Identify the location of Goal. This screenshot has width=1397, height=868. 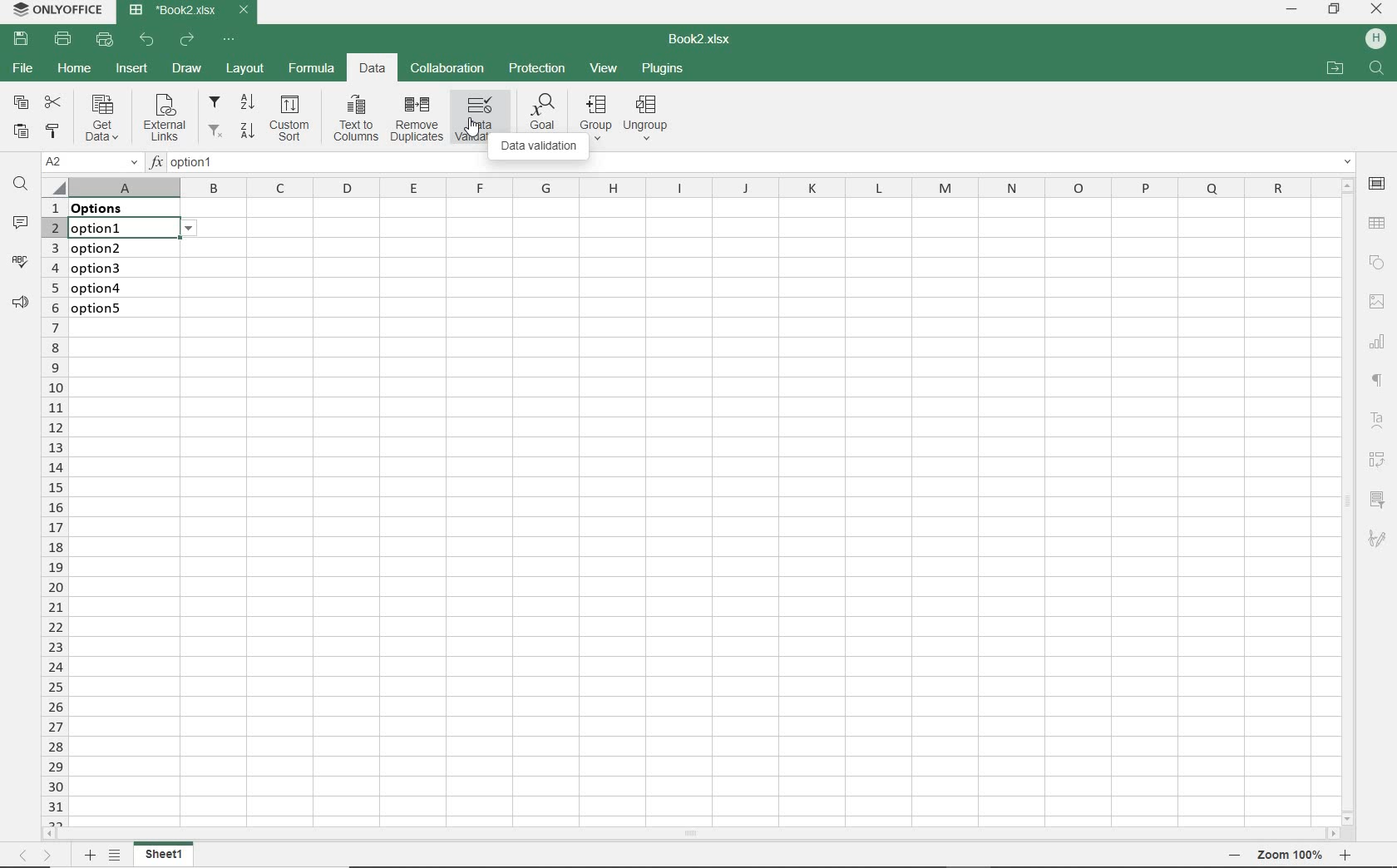
(540, 111).